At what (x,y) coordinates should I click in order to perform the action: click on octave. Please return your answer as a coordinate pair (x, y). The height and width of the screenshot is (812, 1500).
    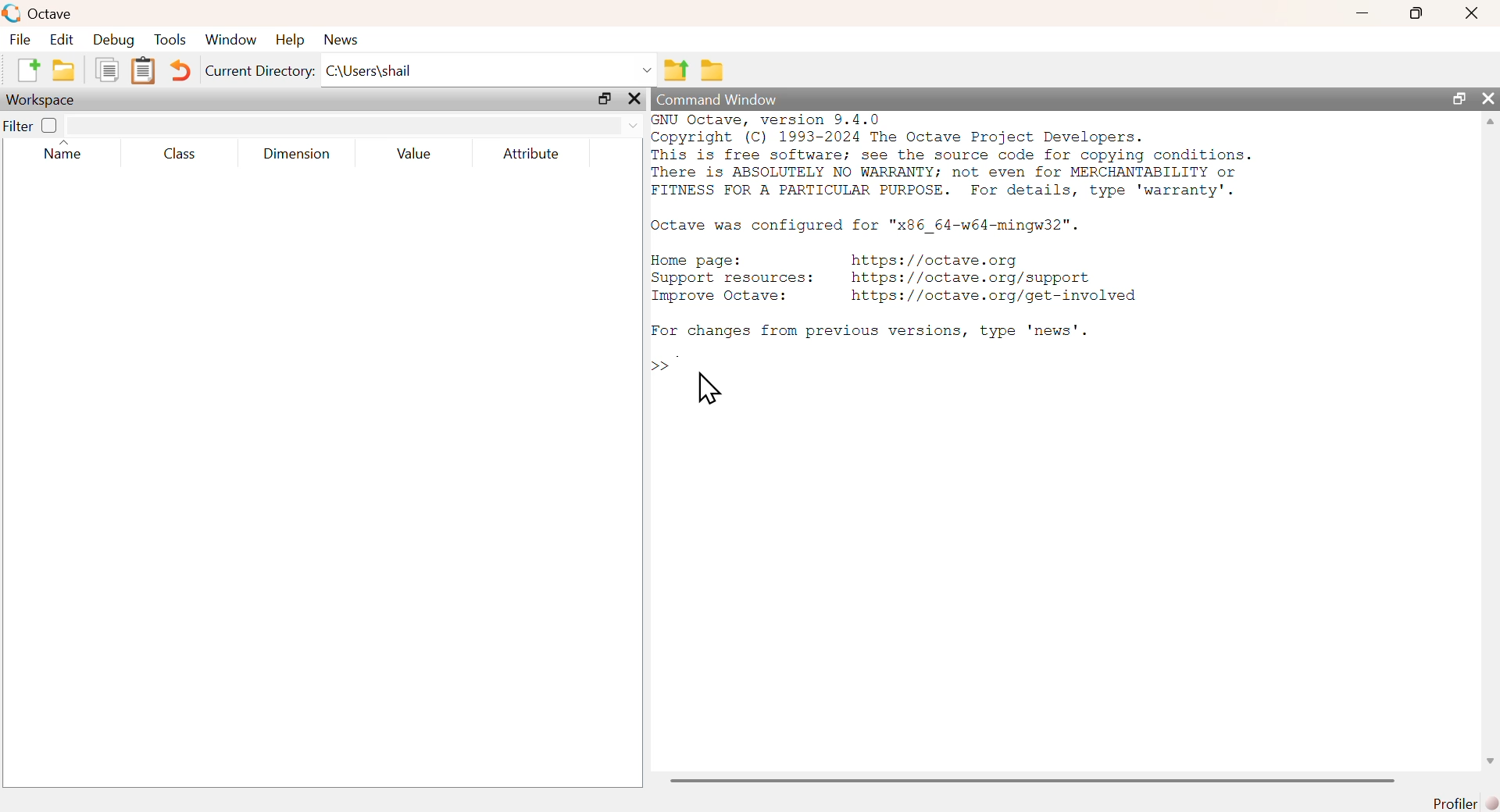
    Looking at the image, I should click on (39, 12).